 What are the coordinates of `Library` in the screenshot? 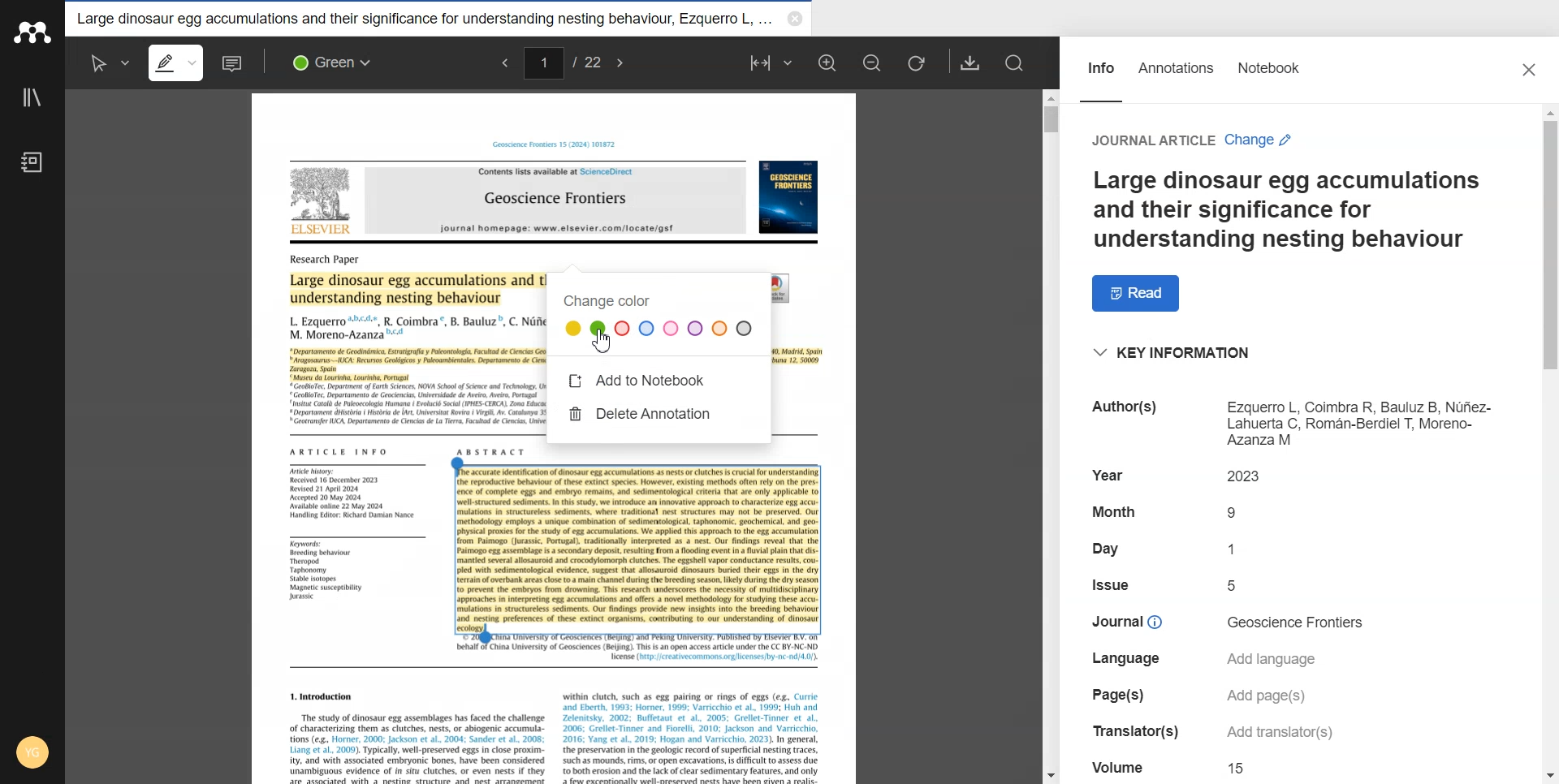 It's located at (32, 98).